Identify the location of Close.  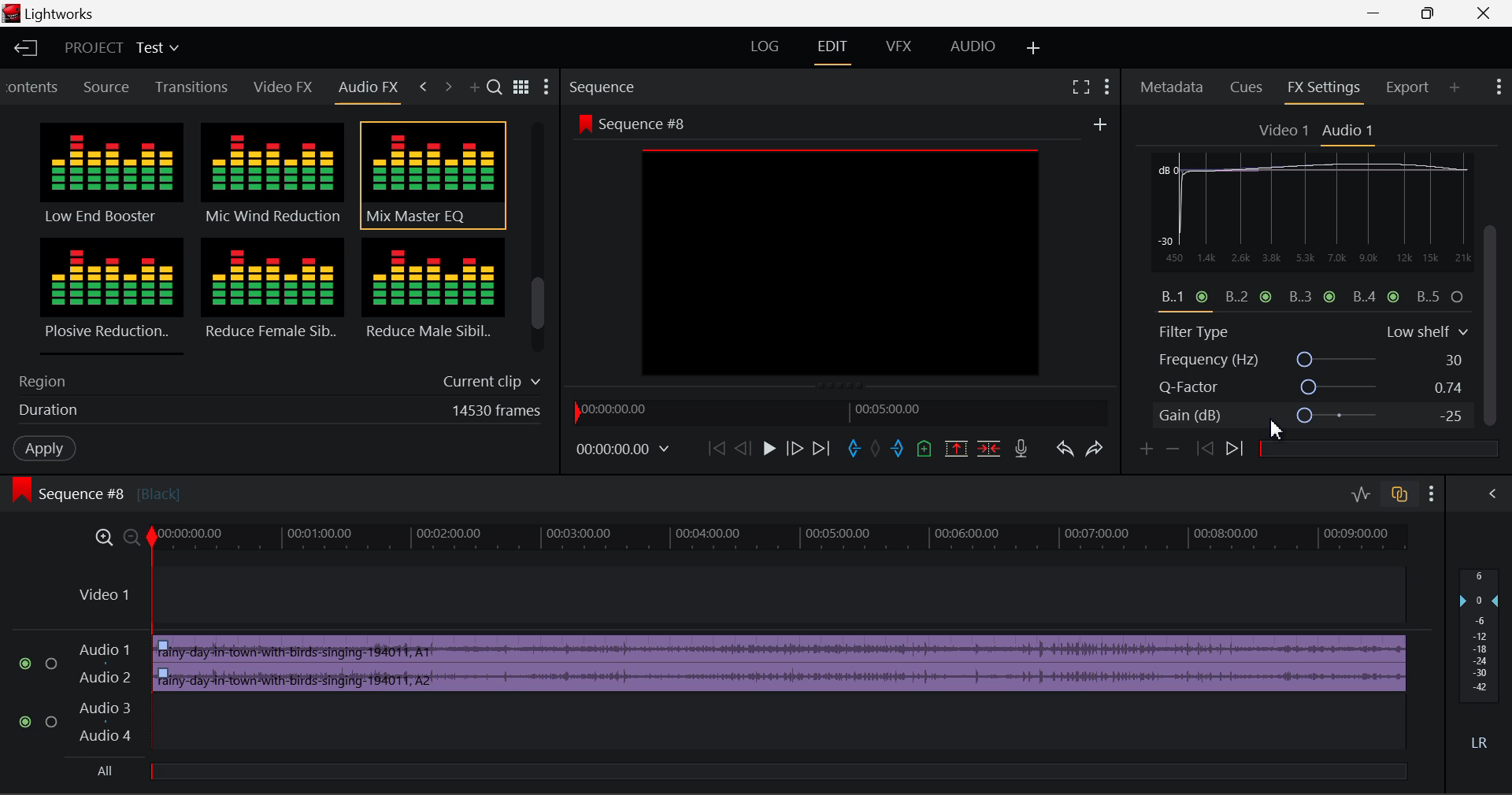
(1476, 13).